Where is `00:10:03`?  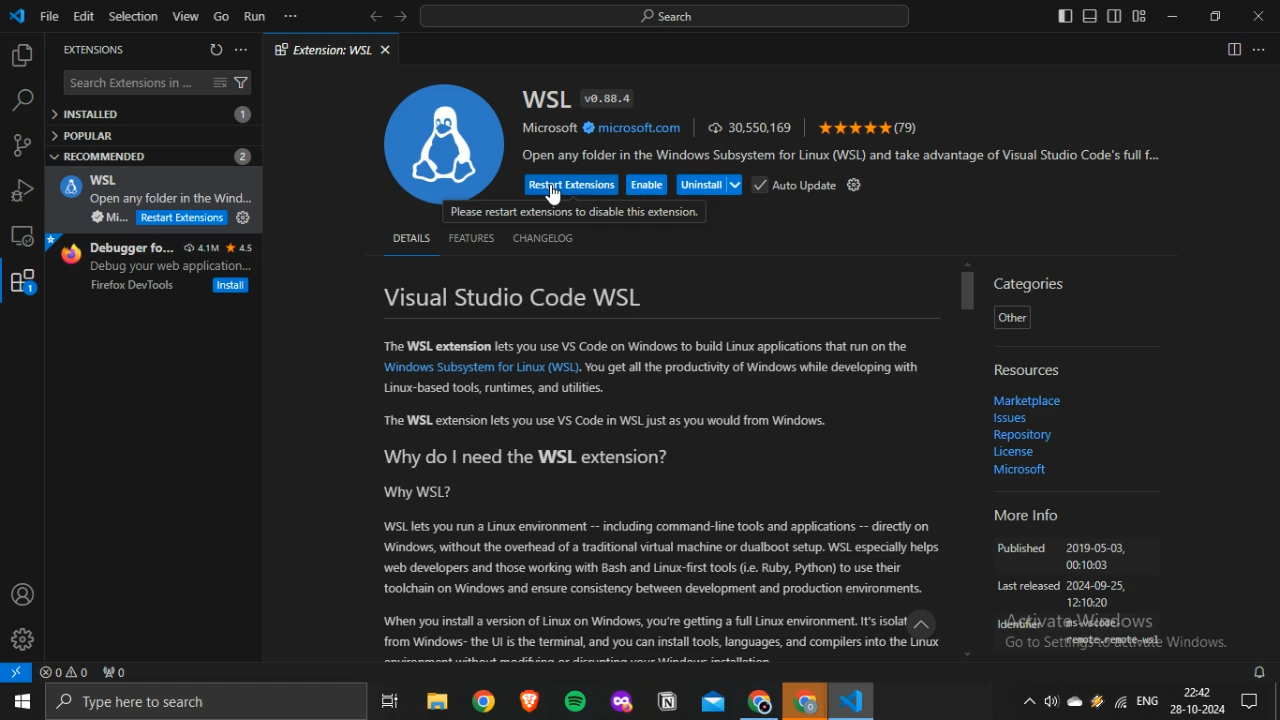 00:10:03 is located at coordinates (1087, 567).